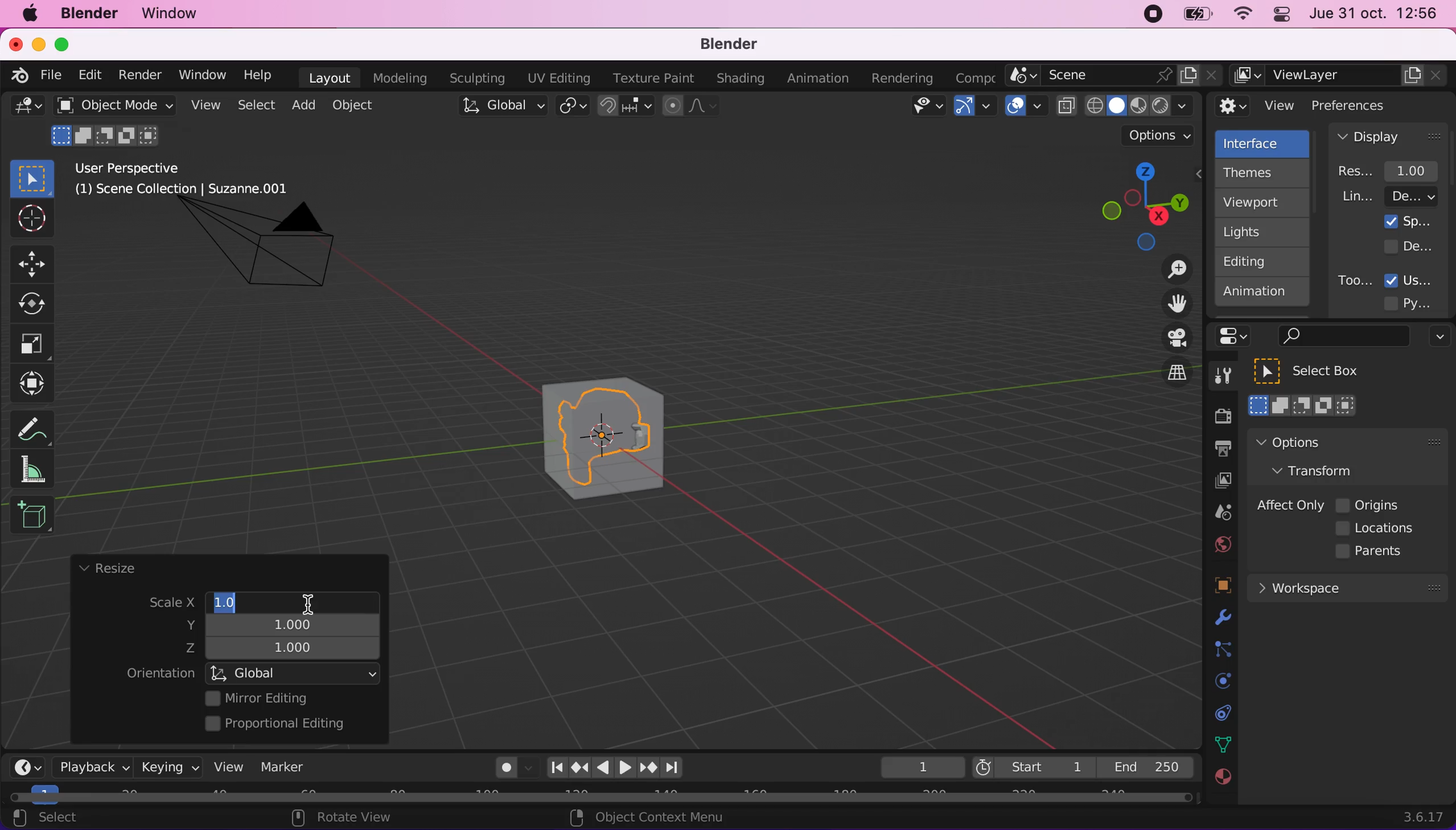 This screenshot has height=830, width=1456. I want to click on transform pivot point, so click(574, 107).